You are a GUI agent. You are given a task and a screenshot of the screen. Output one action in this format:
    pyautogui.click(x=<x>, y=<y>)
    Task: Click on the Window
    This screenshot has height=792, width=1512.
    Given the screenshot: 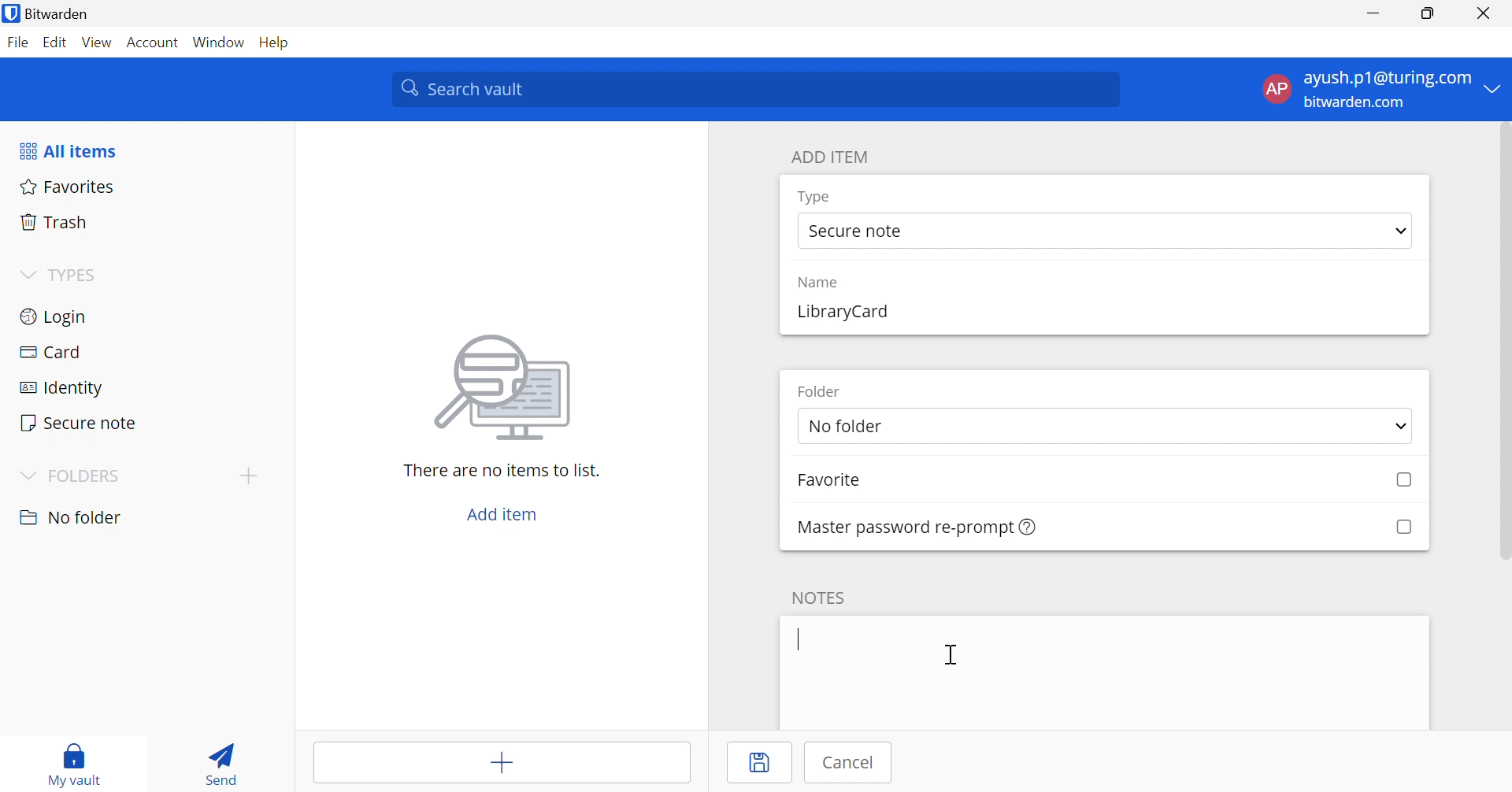 What is the action you would take?
    pyautogui.click(x=220, y=42)
    